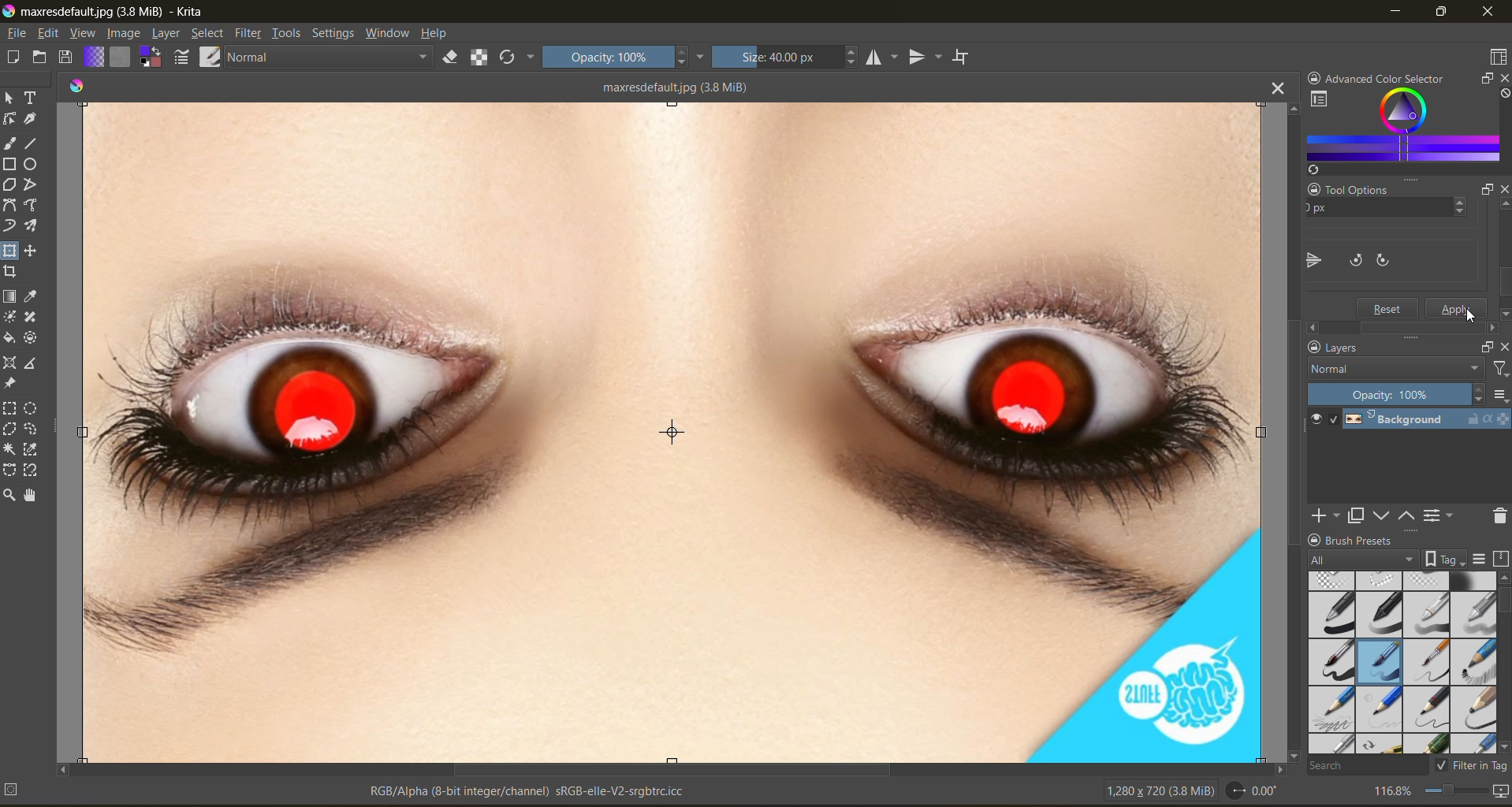 This screenshot has height=807, width=1512. I want to click on float docker, so click(1487, 347).